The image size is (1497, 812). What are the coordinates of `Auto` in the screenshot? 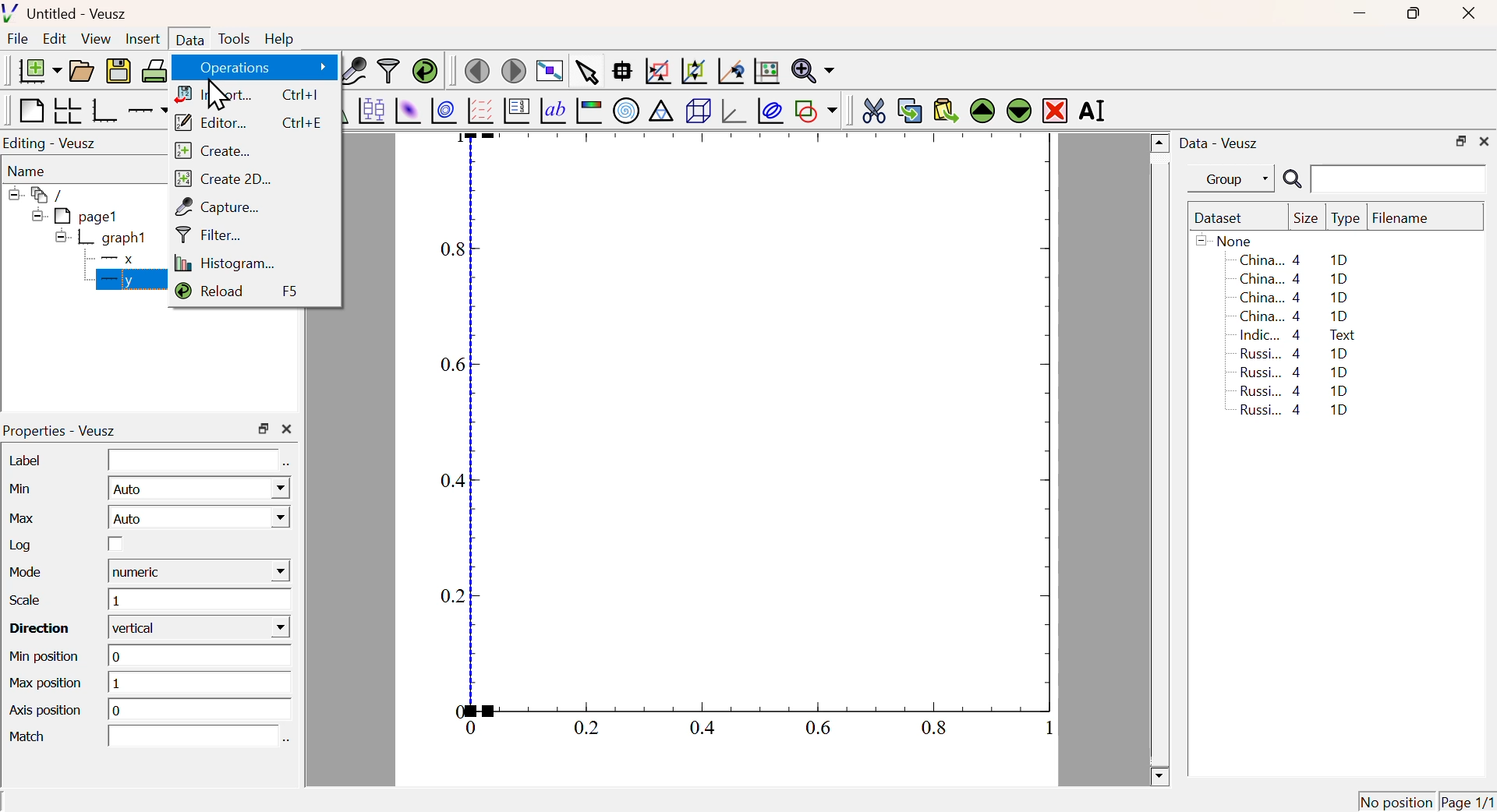 It's located at (199, 489).